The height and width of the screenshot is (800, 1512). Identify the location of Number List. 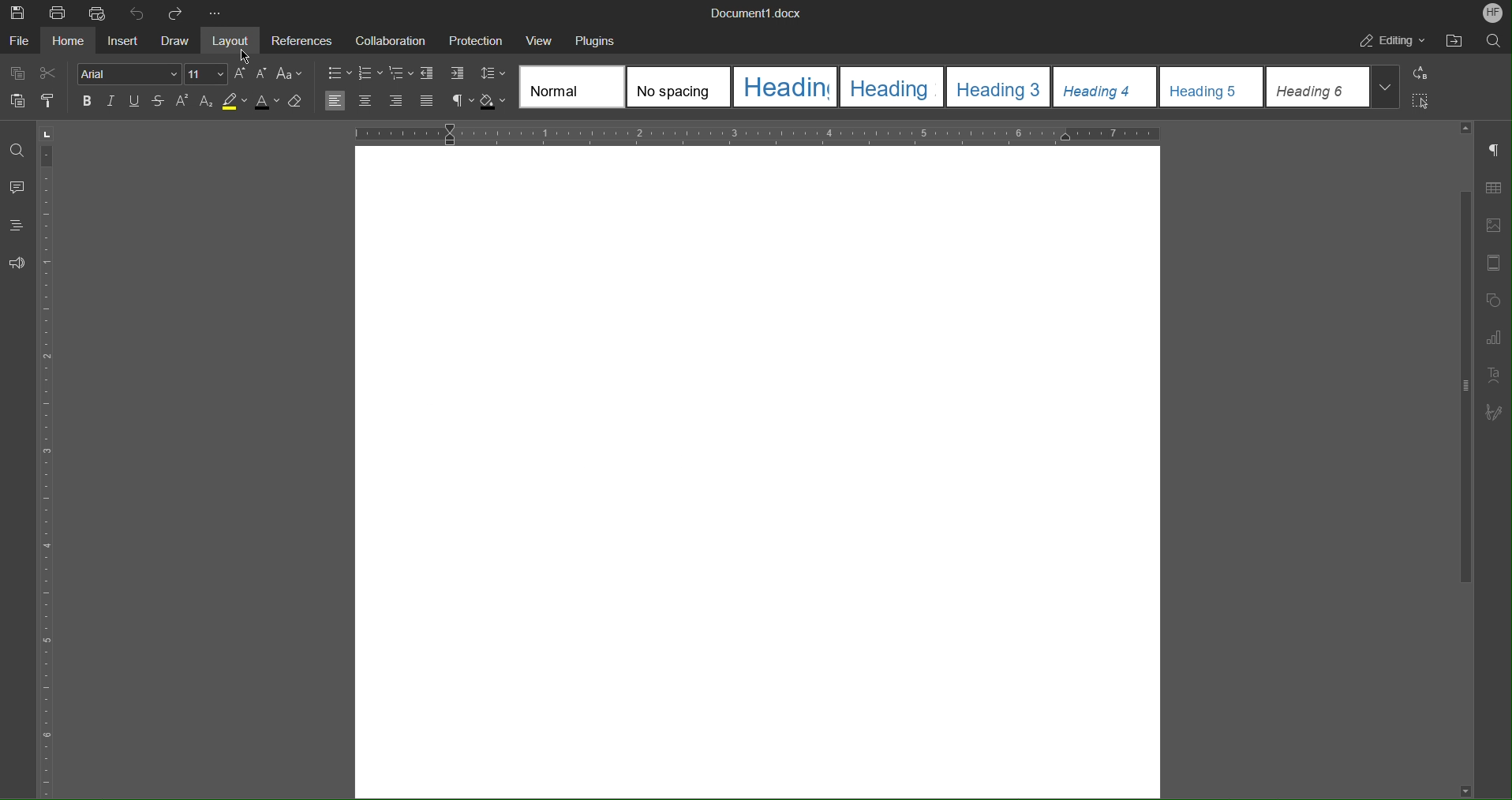
(372, 75).